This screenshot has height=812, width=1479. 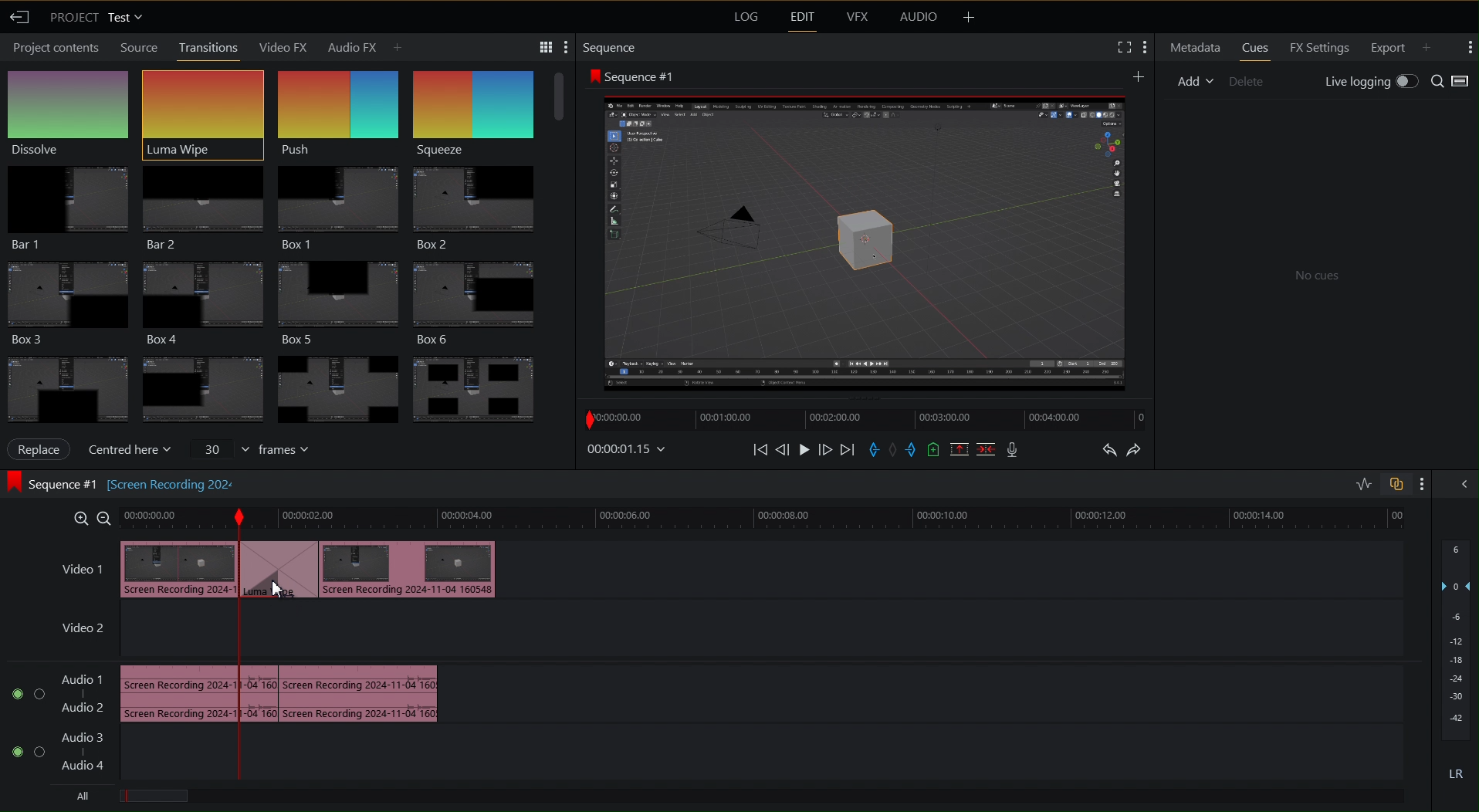 I want to click on Source, so click(x=136, y=47).